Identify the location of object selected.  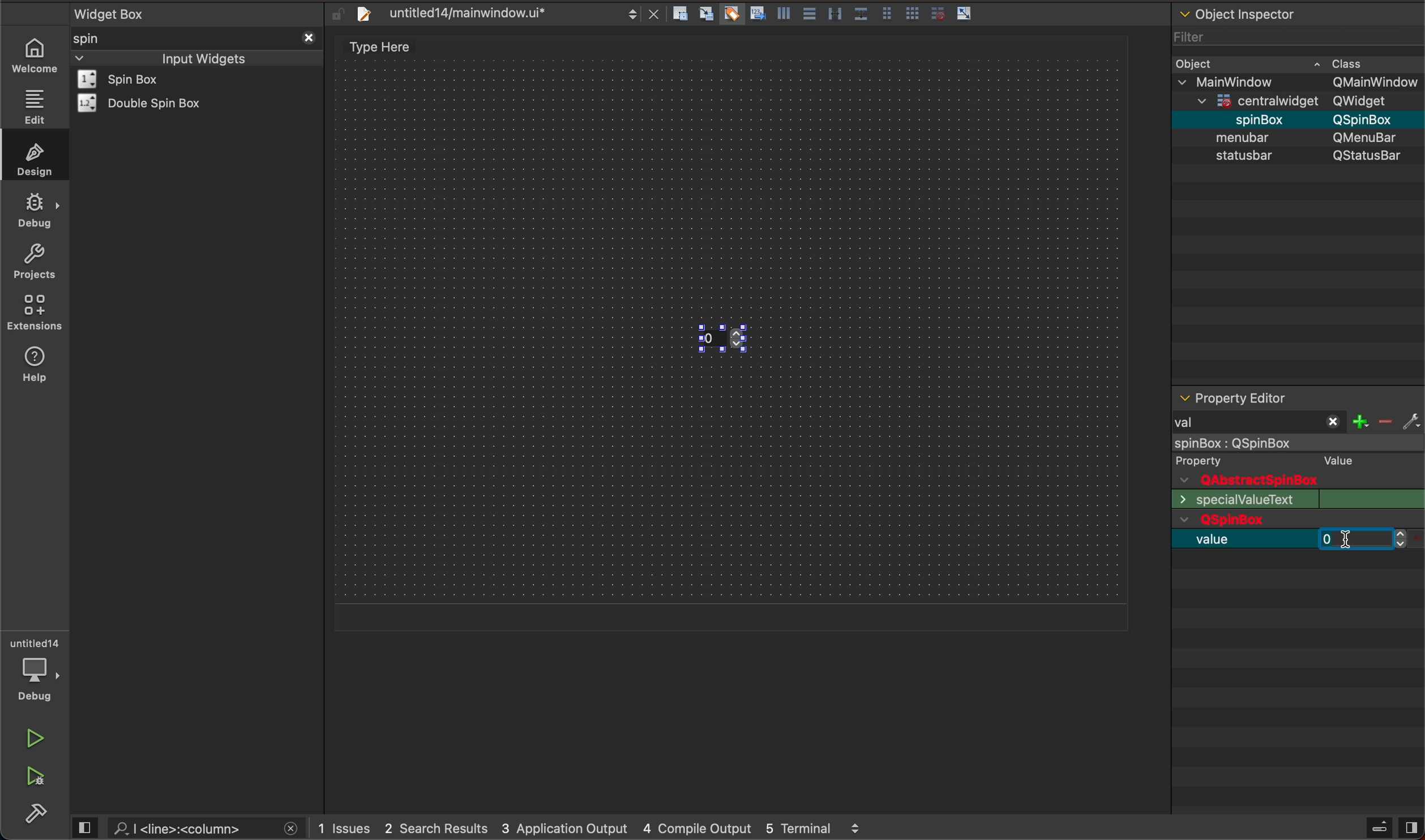
(1296, 444).